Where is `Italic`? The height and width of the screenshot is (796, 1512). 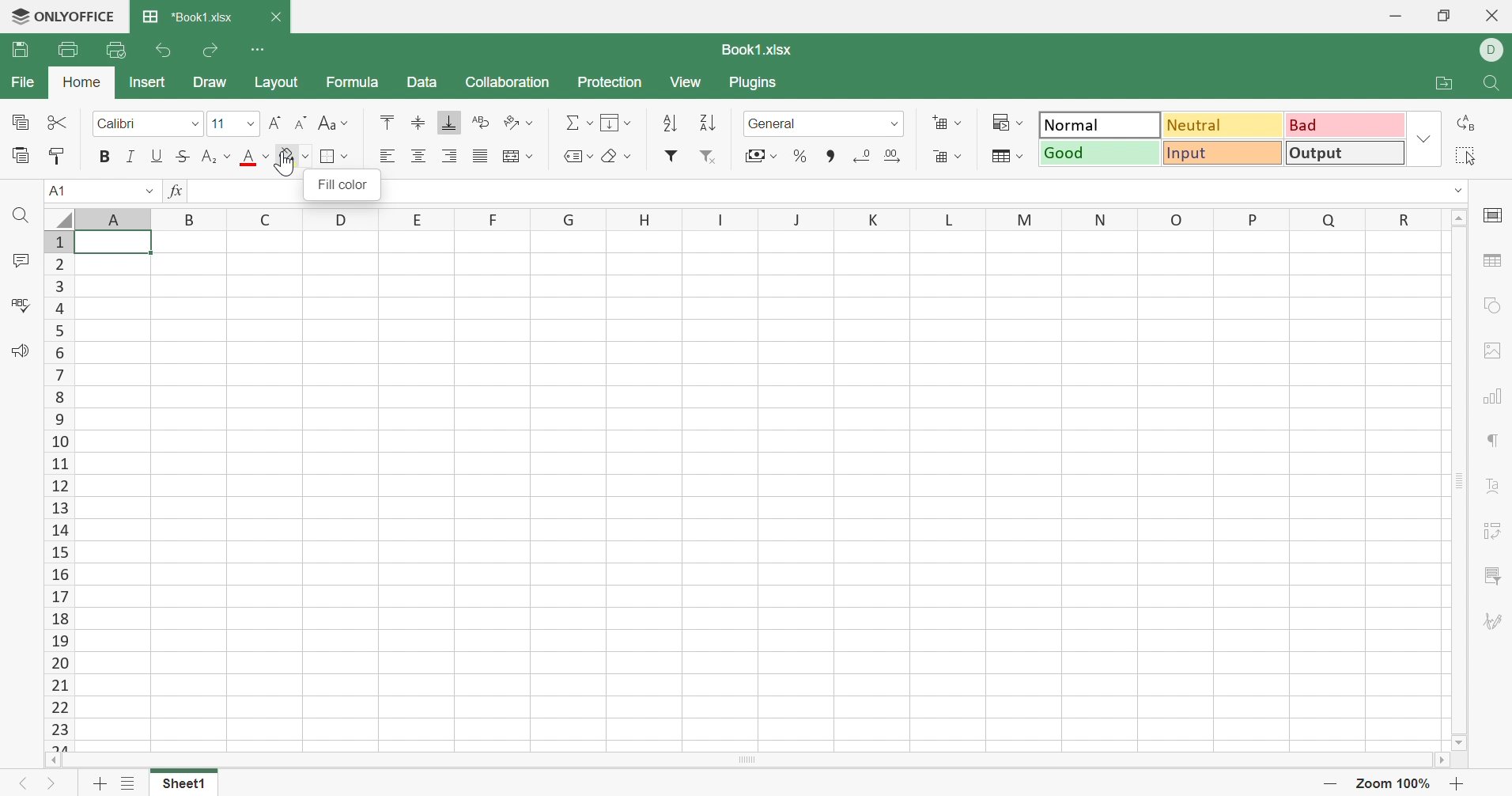 Italic is located at coordinates (130, 154).